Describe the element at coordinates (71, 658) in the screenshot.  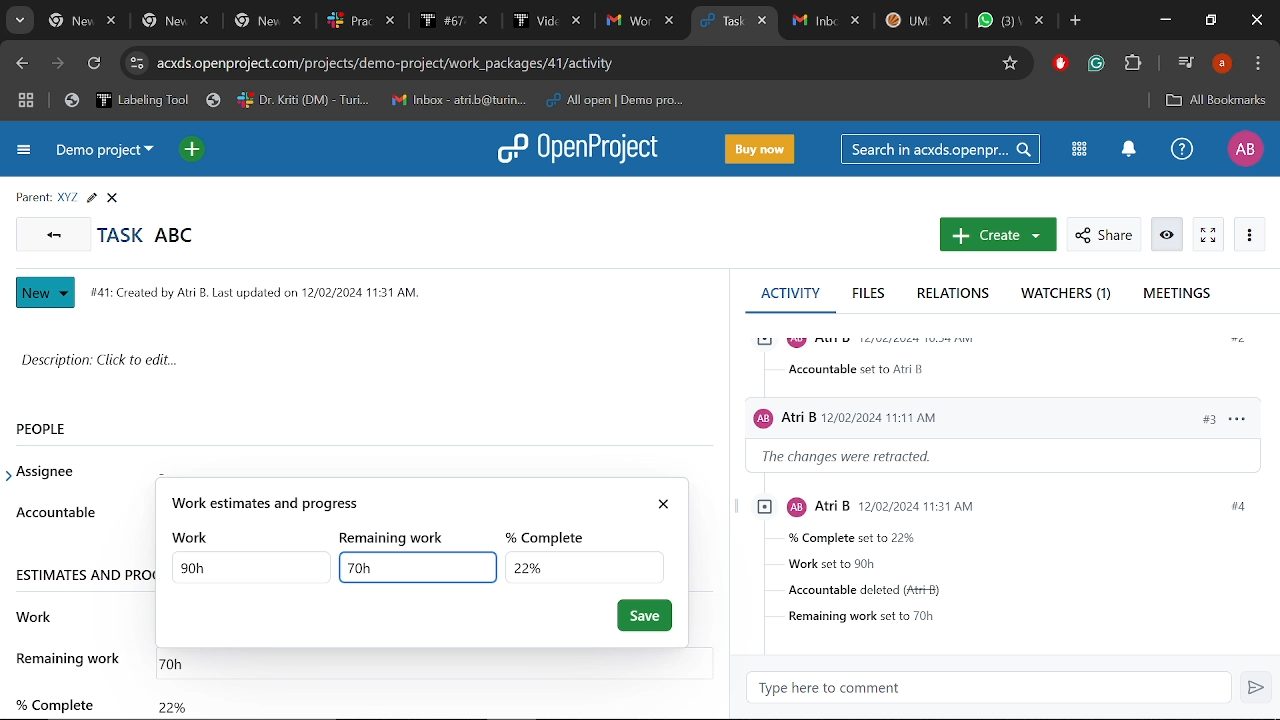
I see `remaining work` at that location.